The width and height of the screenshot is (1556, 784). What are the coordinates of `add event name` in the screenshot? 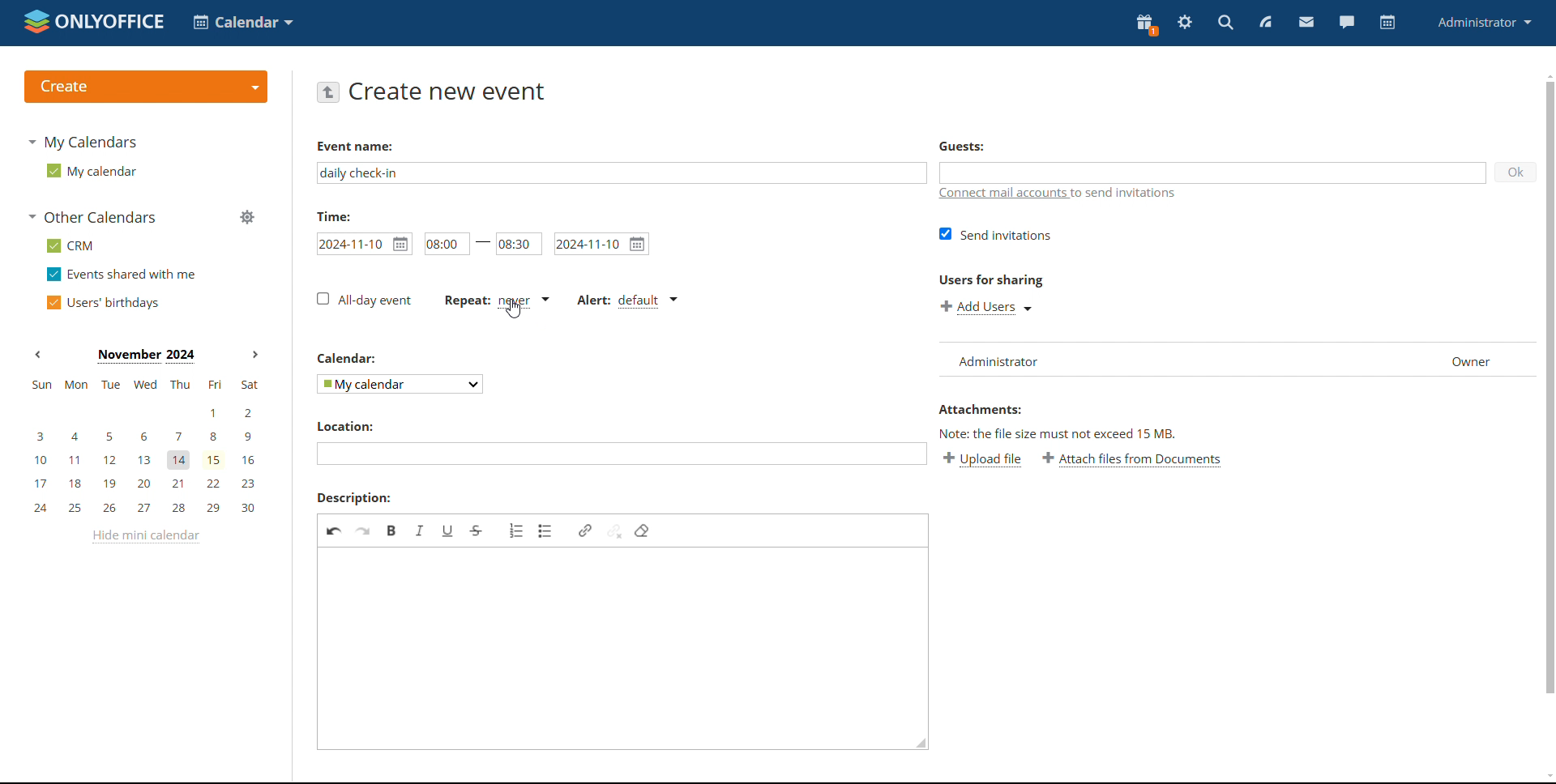 It's located at (621, 173).